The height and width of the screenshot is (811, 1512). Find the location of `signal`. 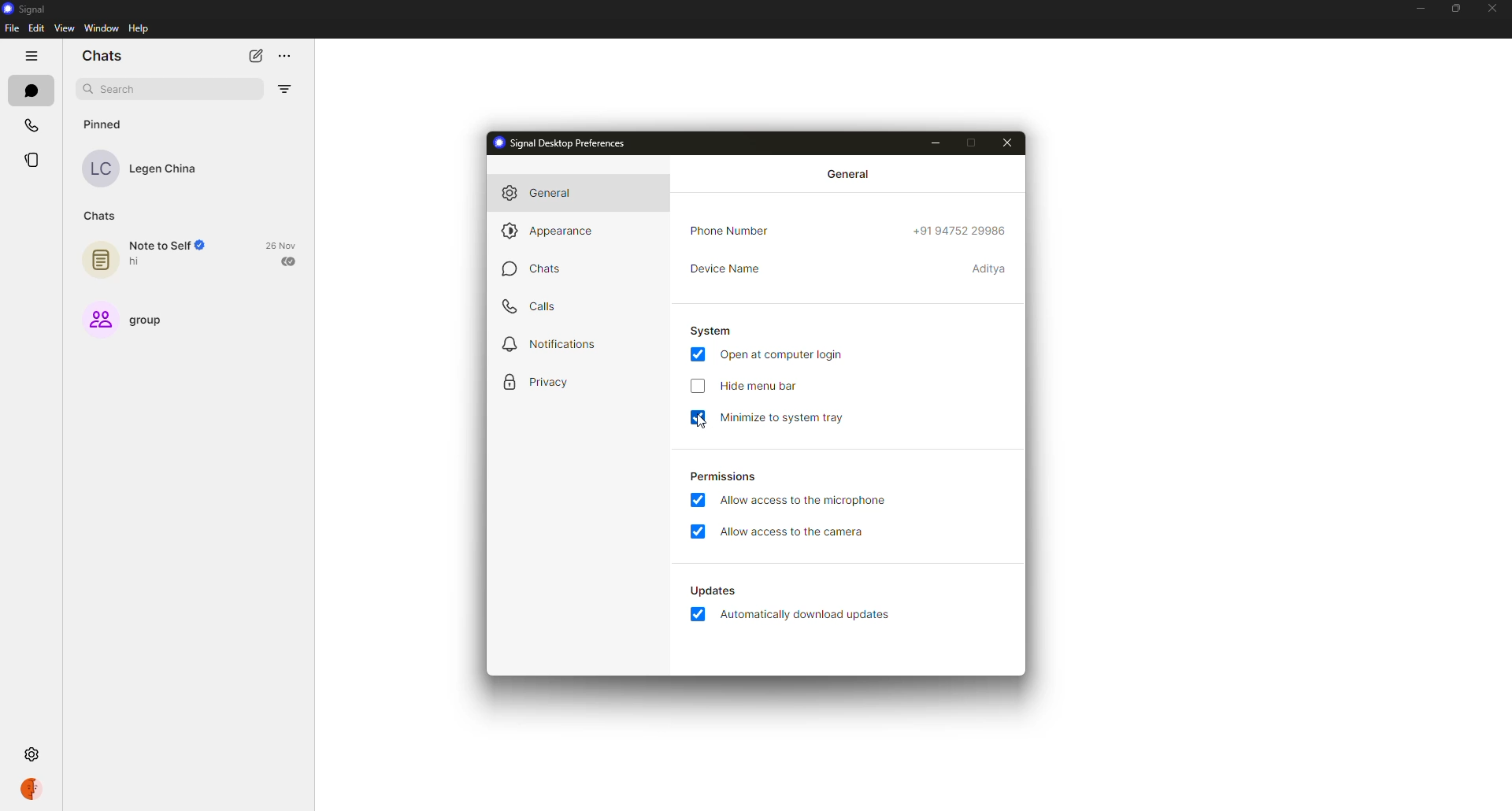

signal is located at coordinates (27, 9).